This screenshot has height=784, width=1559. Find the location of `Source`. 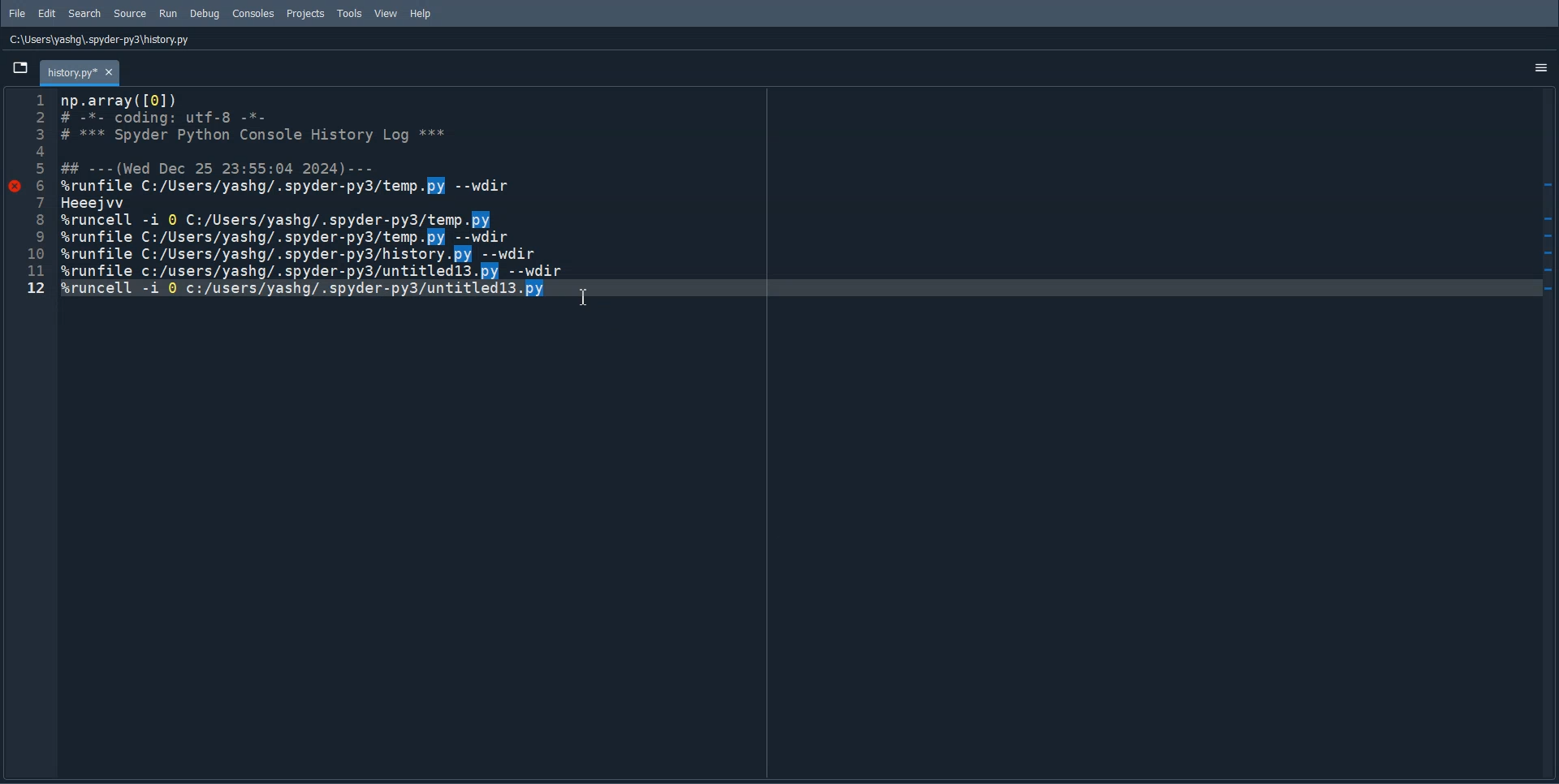

Source is located at coordinates (132, 13).